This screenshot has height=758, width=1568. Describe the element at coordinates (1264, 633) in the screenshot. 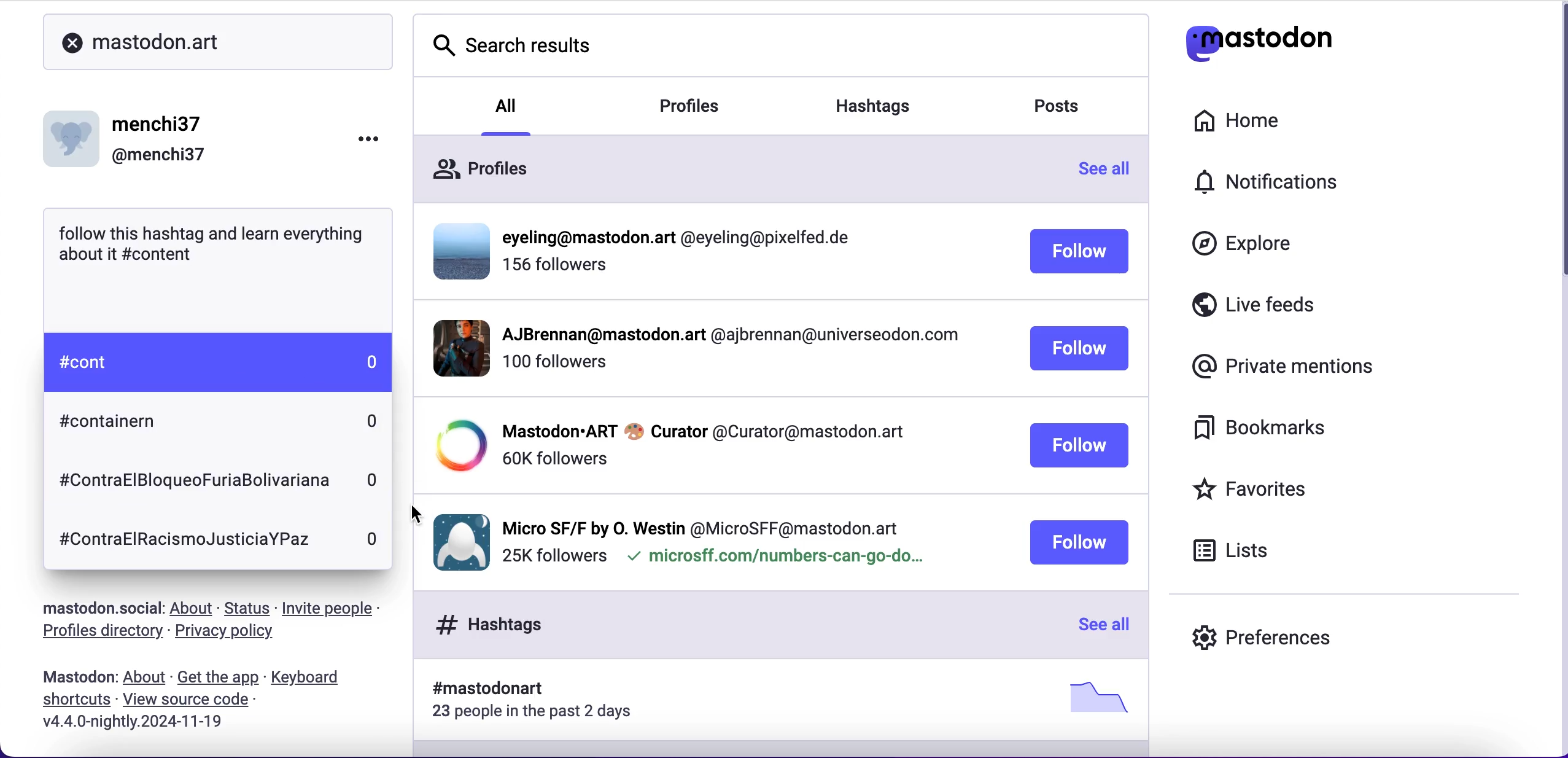

I see `preferences` at that location.